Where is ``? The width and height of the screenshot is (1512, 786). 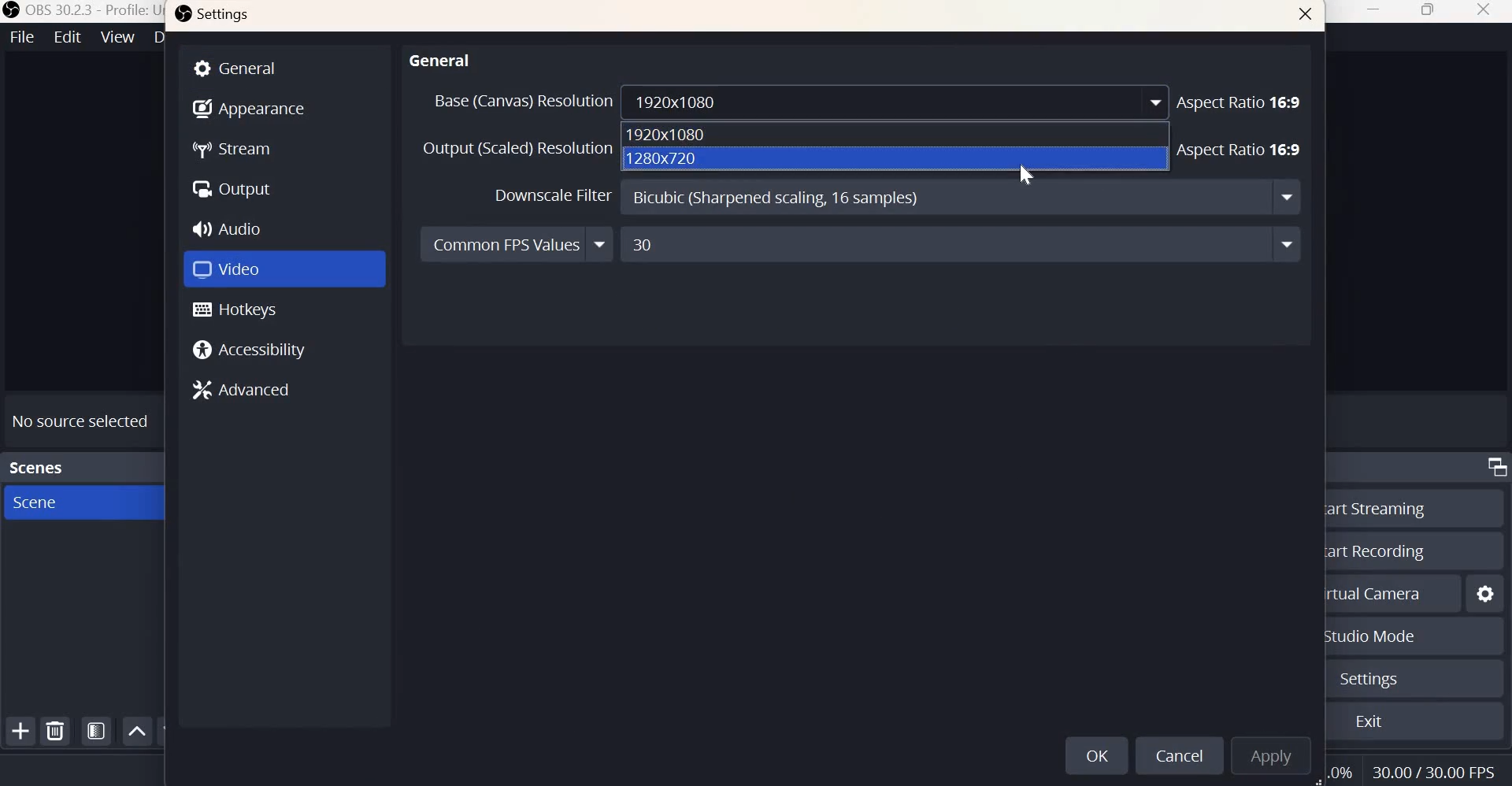  is located at coordinates (961, 244).